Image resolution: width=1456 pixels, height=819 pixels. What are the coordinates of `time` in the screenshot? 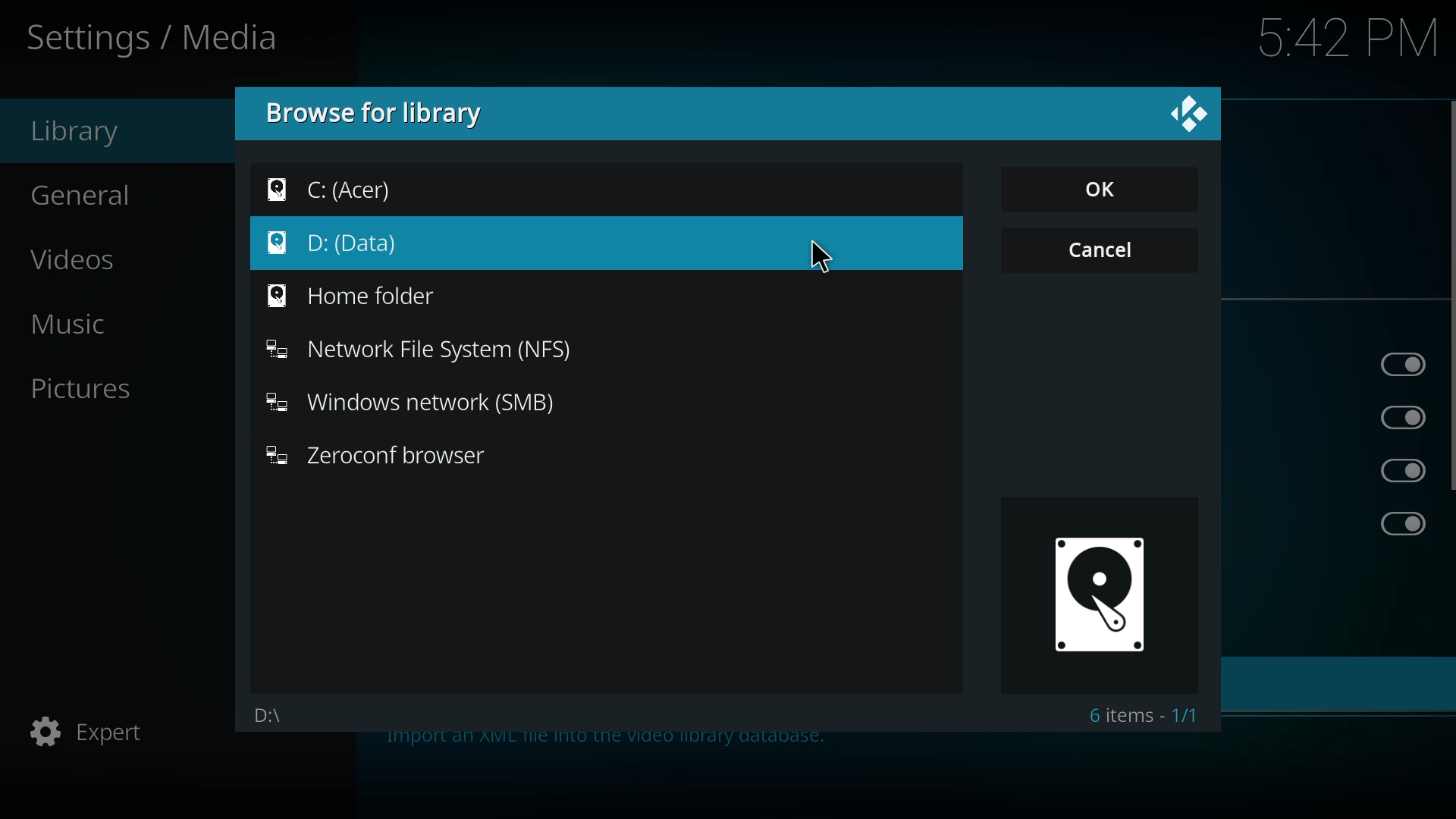 It's located at (1350, 35).